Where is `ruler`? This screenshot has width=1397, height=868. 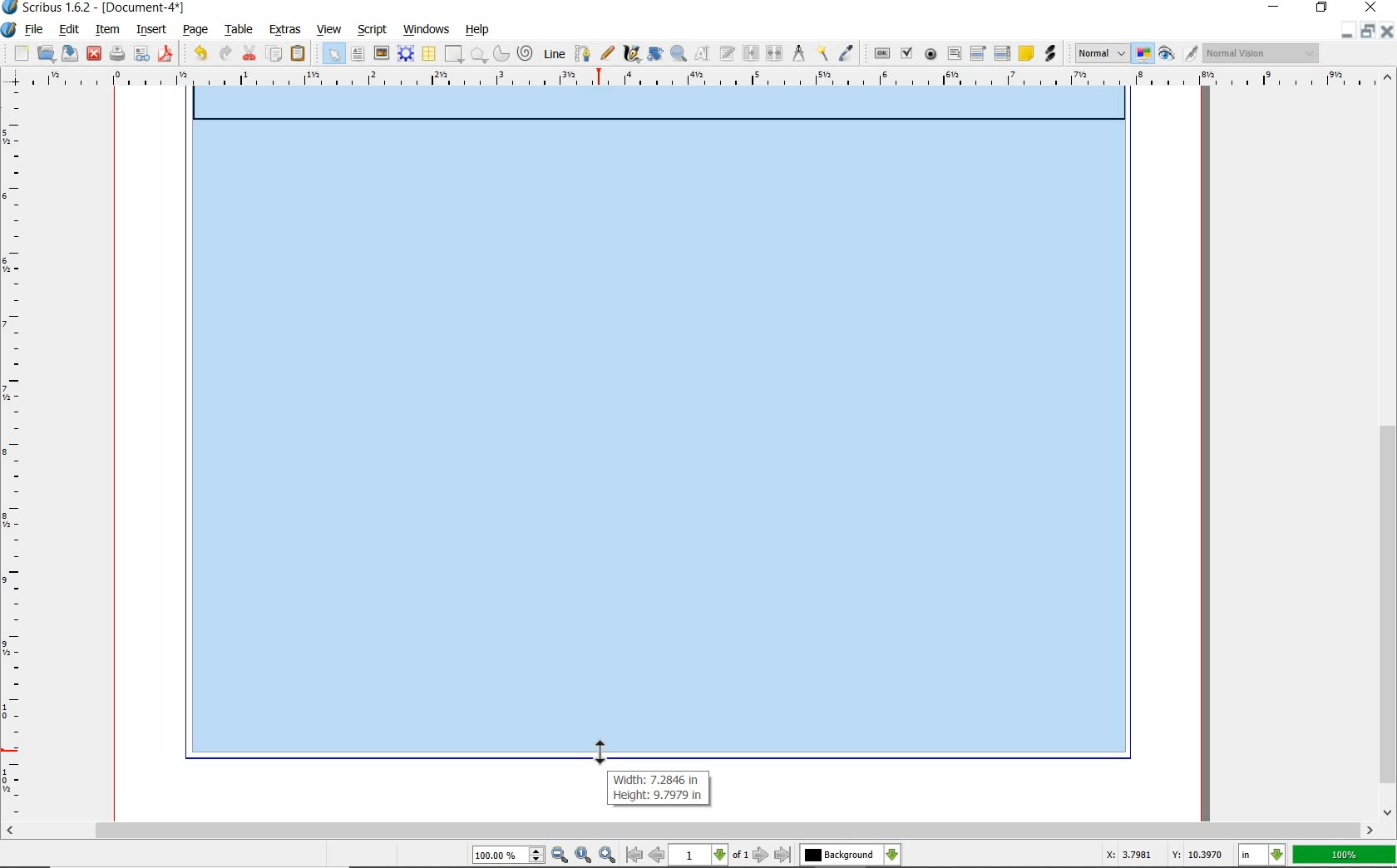 ruler is located at coordinates (15, 457).